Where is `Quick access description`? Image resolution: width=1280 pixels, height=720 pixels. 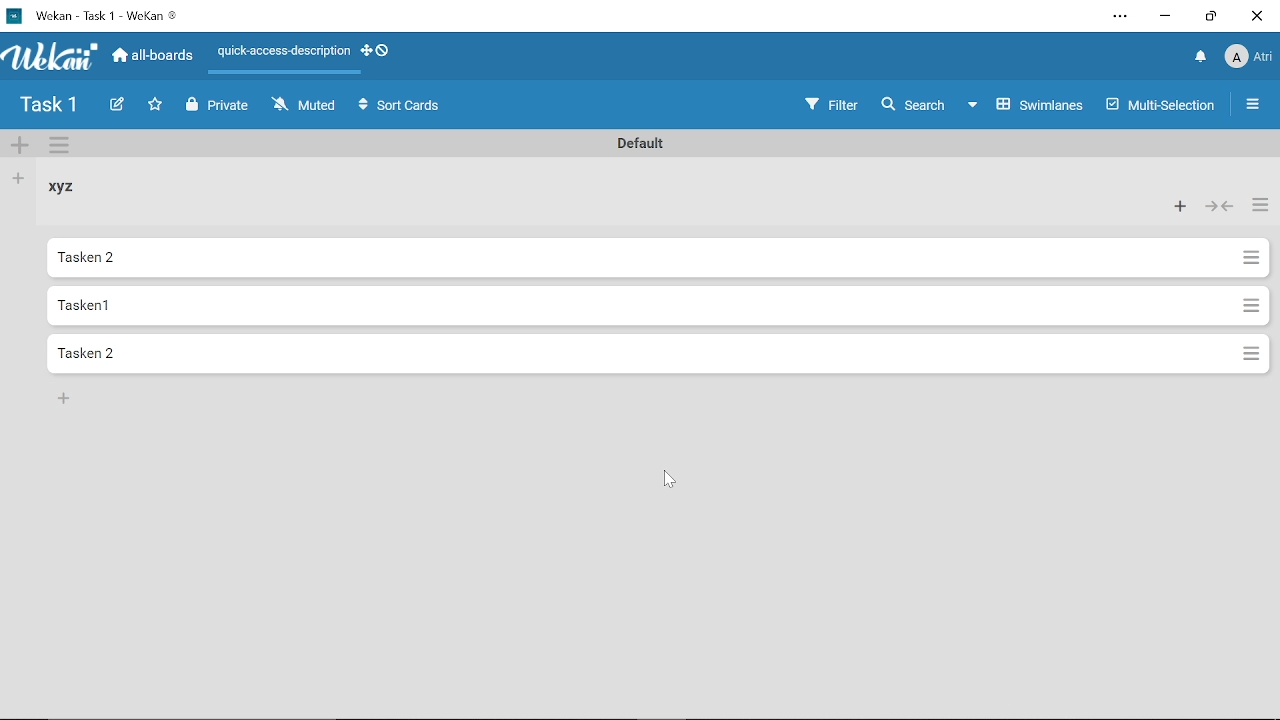 Quick access description is located at coordinates (282, 52).